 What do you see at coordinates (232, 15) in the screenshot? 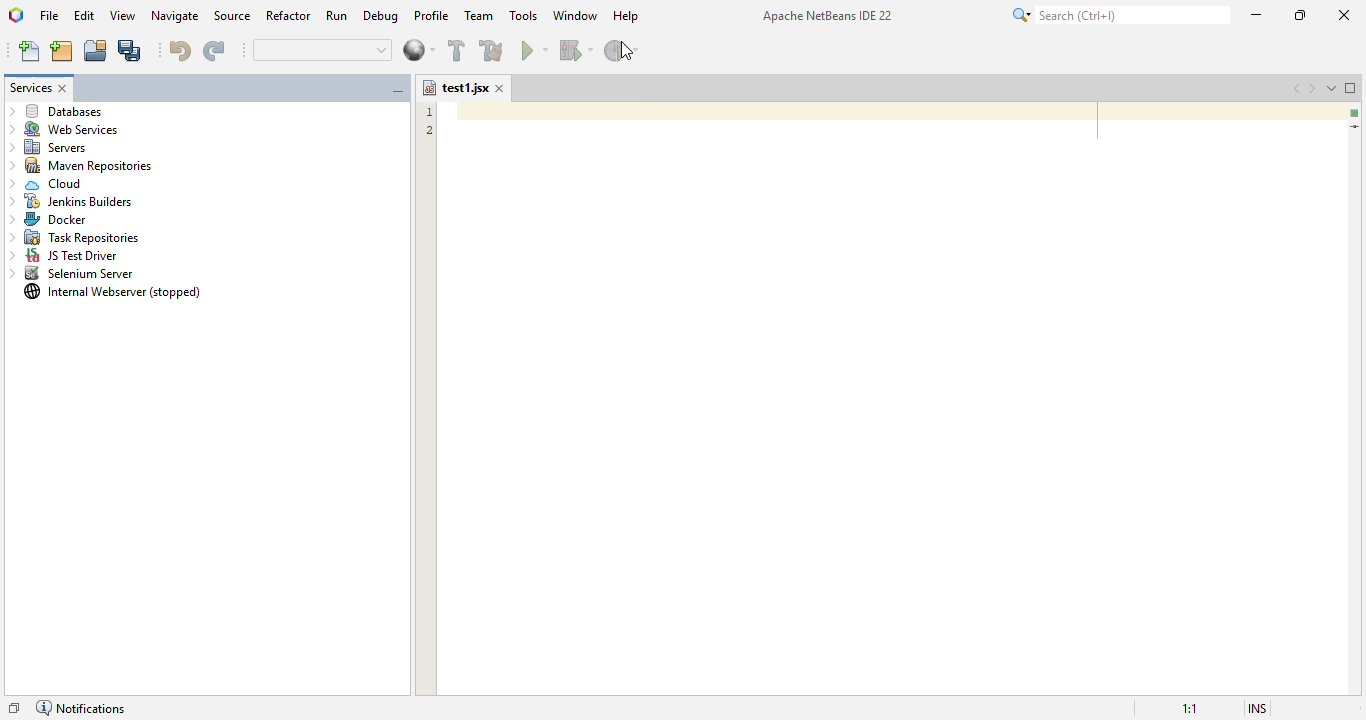
I see `source` at bounding box center [232, 15].